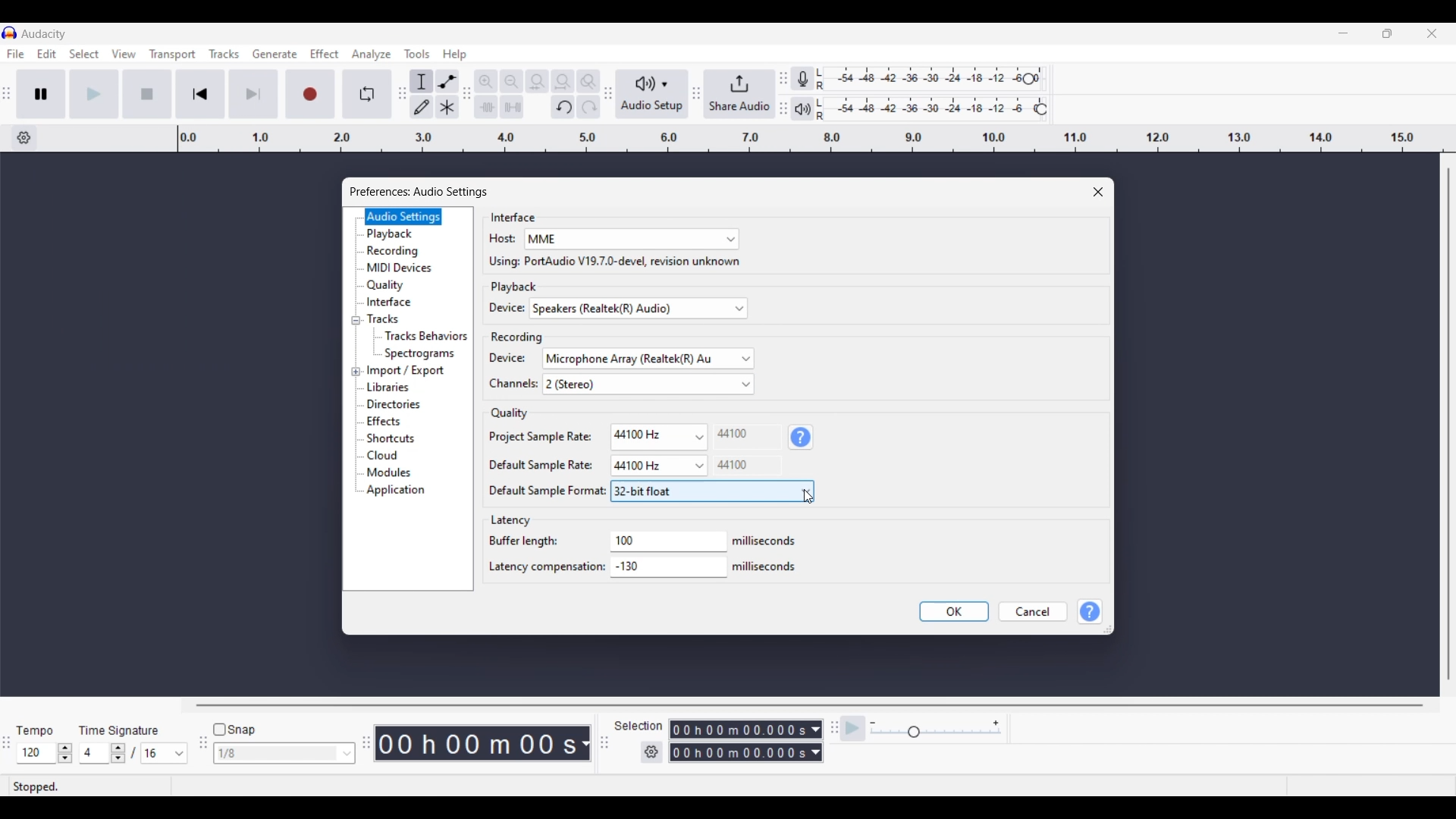  Describe the element at coordinates (532, 465) in the screenshot. I see `Default Sample Rate:` at that location.